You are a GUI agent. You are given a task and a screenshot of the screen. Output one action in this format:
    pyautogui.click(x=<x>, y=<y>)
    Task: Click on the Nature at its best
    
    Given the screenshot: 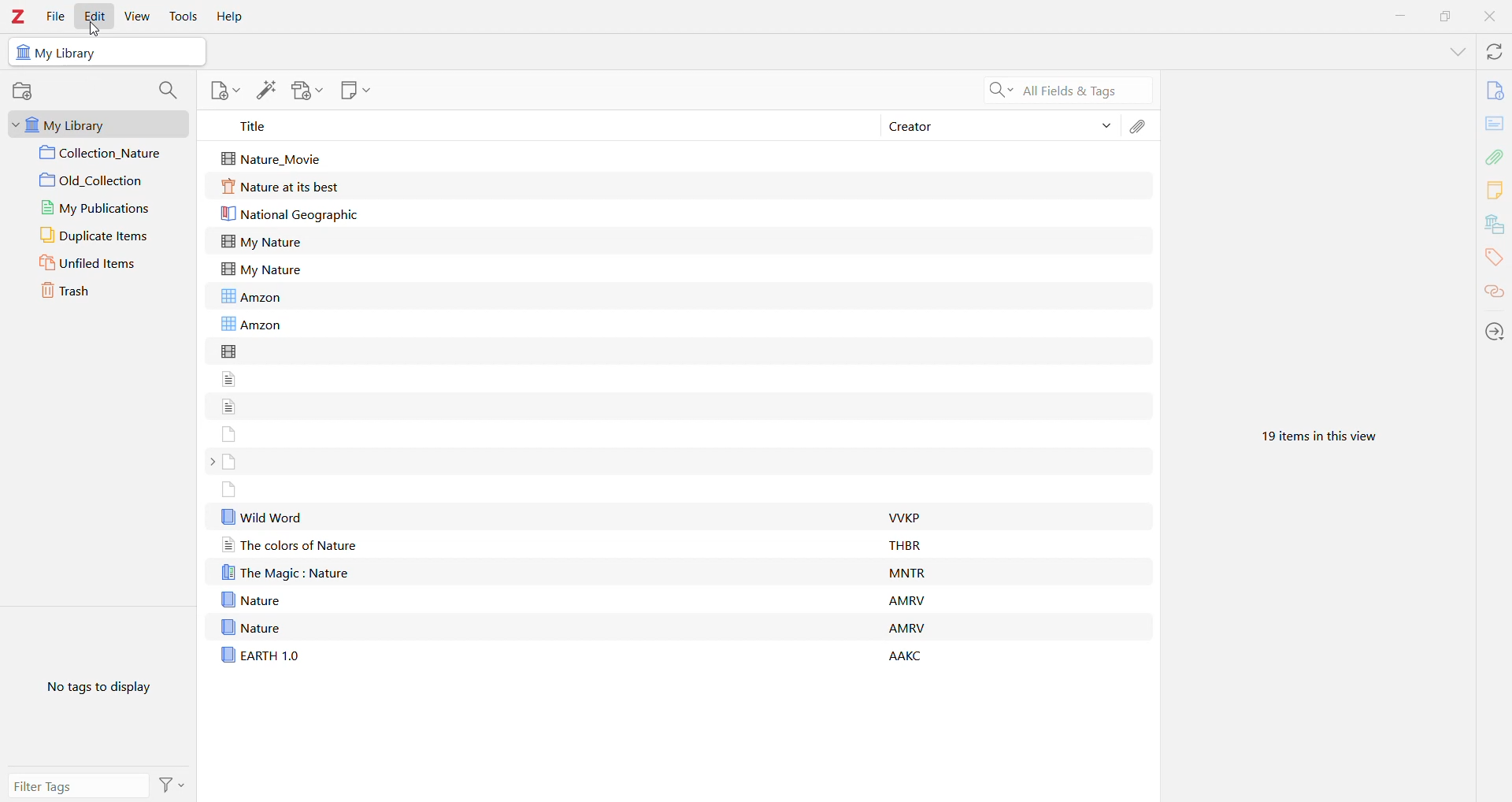 What is the action you would take?
    pyautogui.click(x=283, y=188)
    